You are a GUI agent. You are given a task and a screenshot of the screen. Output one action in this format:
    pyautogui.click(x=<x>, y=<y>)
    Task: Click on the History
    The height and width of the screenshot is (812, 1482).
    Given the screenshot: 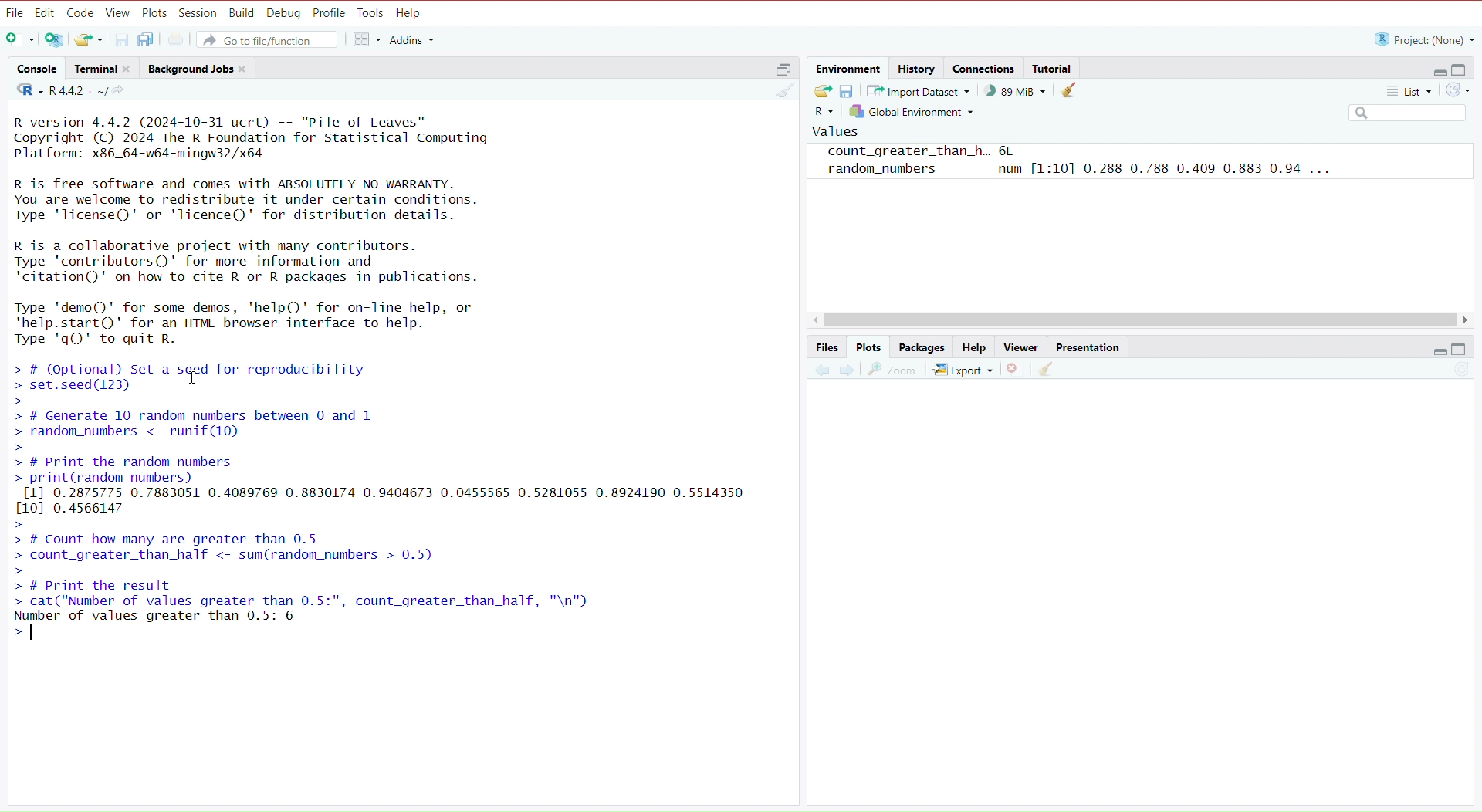 What is the action you would take?
    pyautogui.click(x=917, y=67)
    